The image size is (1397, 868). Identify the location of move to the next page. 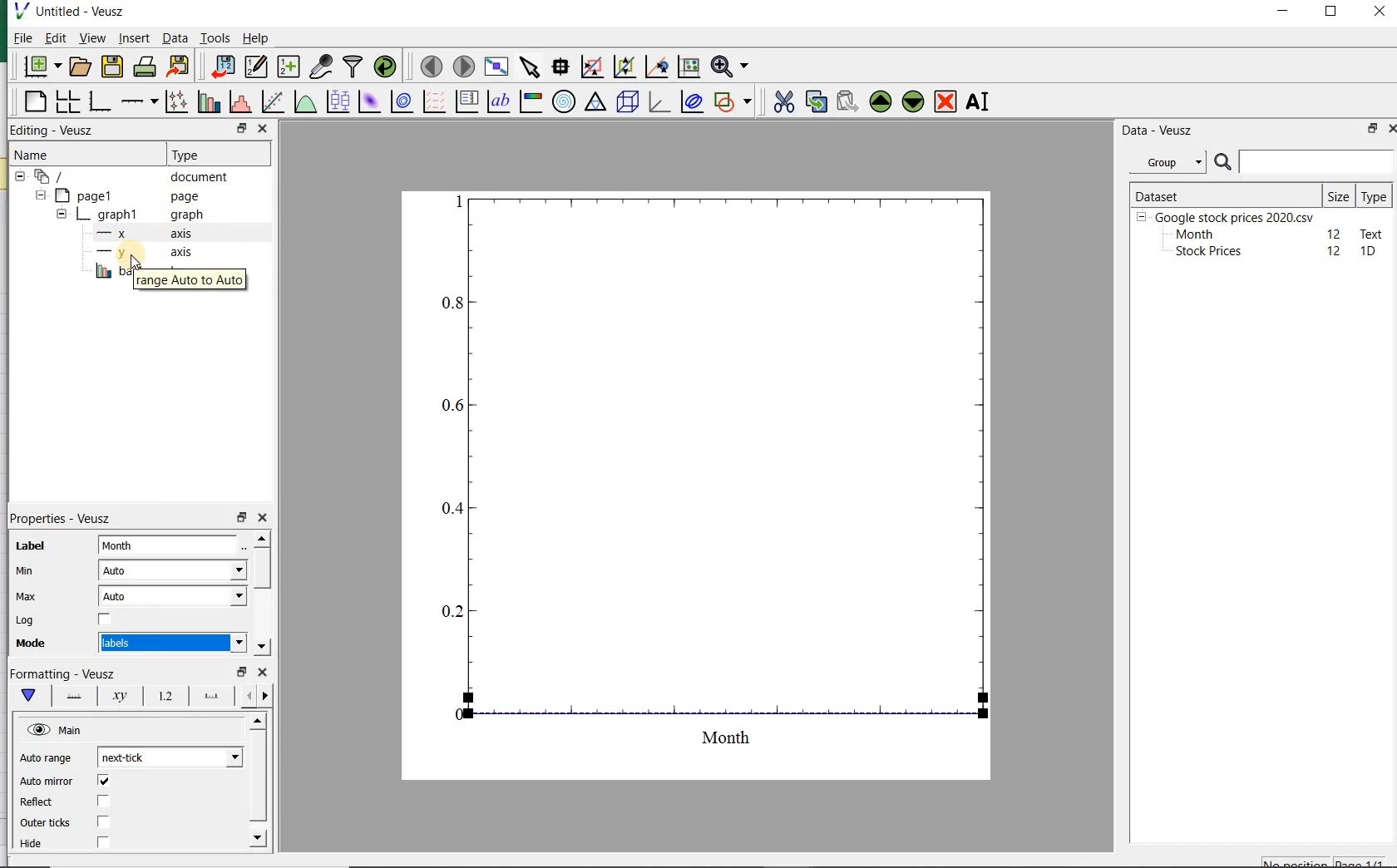
(464, 67).